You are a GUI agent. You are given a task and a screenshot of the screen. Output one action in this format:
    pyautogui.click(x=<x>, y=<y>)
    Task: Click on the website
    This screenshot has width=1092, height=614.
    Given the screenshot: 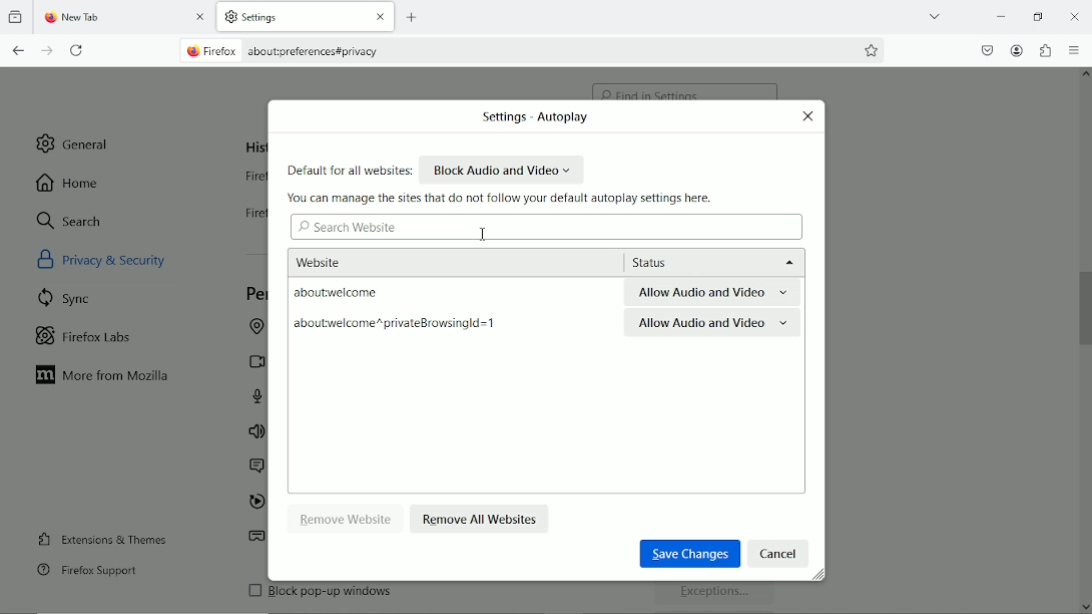 What is the action you would take?
    pyautogui.click(x=346, y=260)
    